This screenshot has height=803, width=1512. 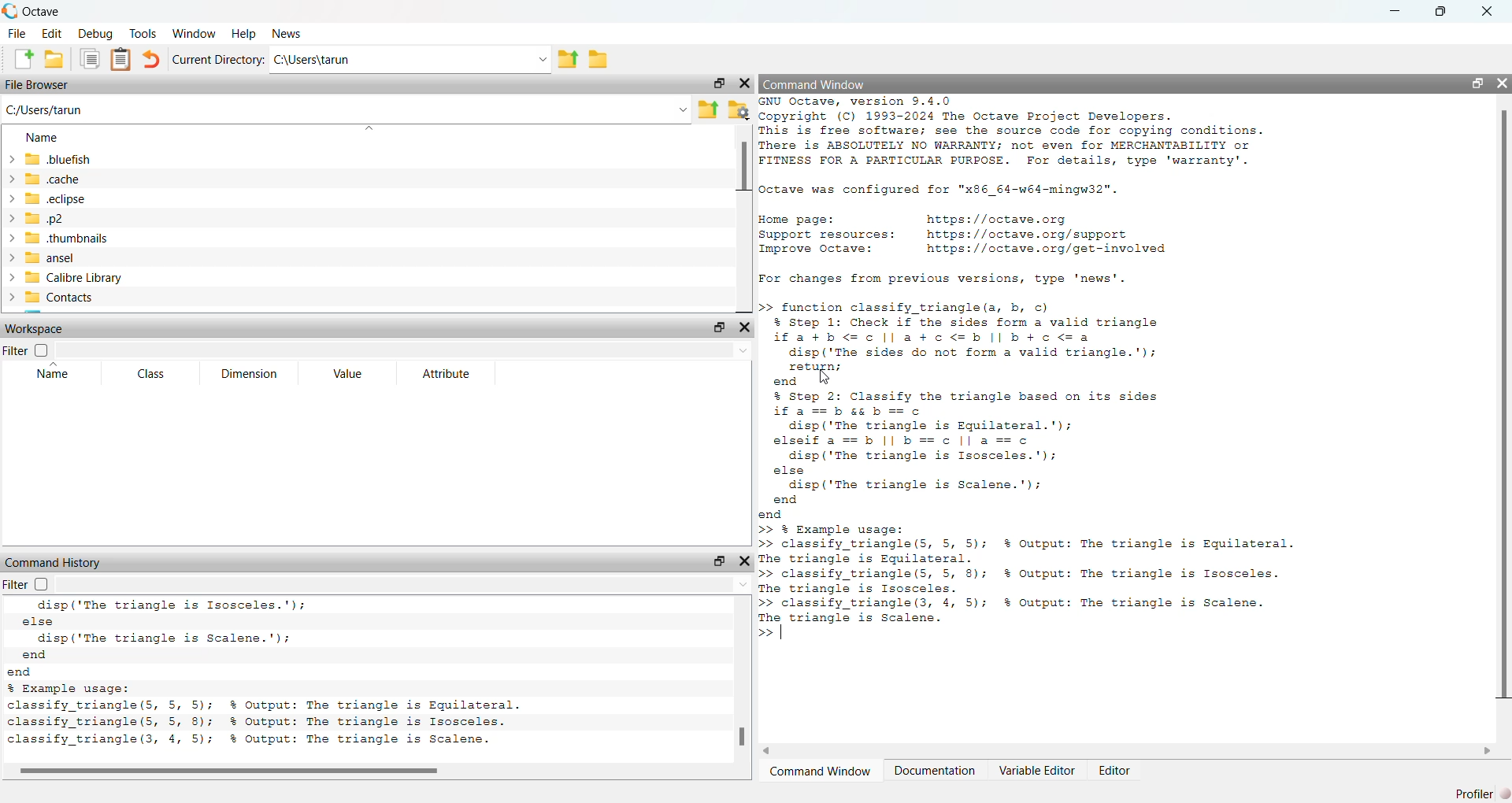 I want to click on close, so click(x=1489, y=11).